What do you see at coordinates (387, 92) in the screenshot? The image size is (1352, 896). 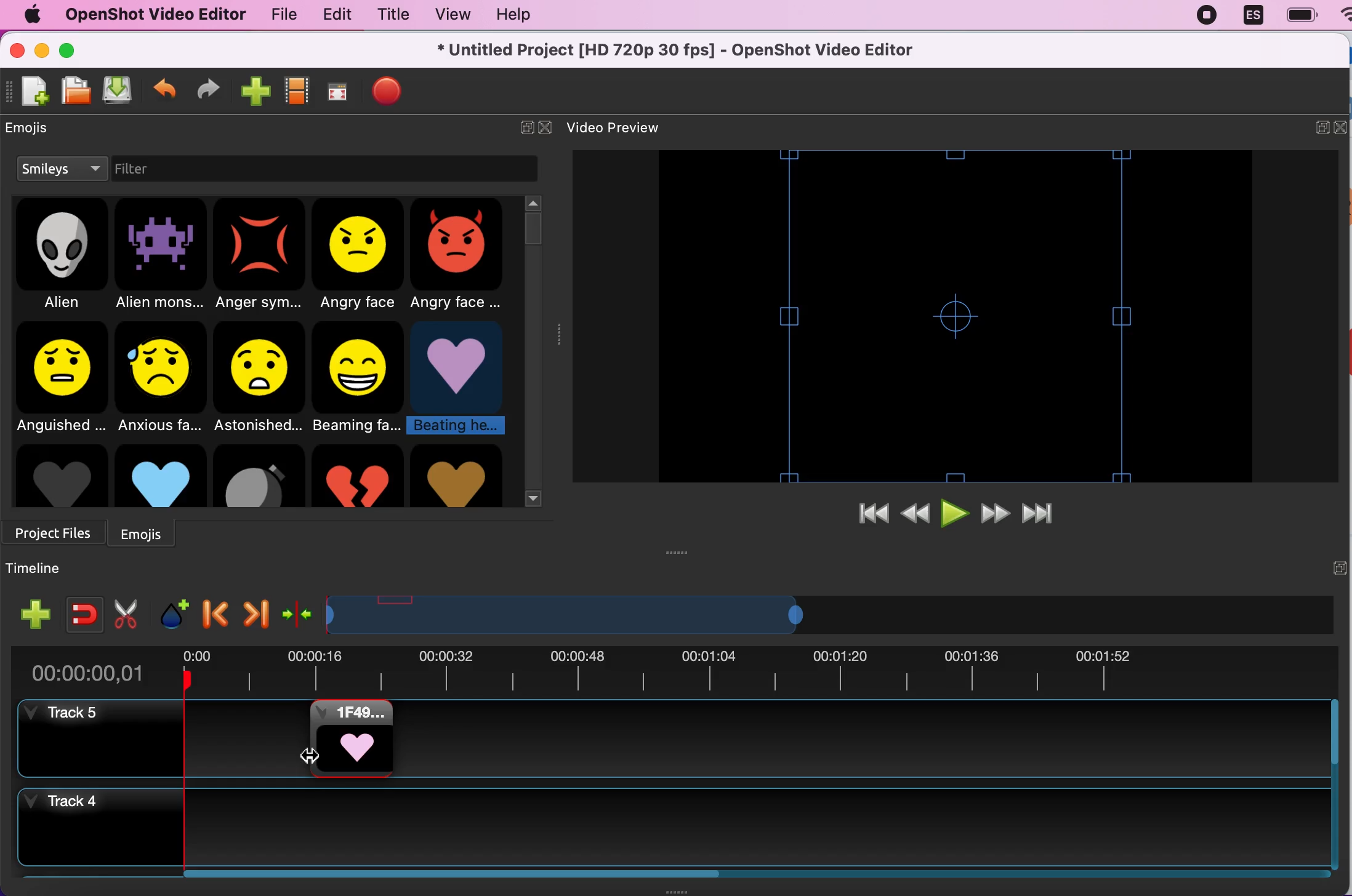 I see `export file` at bounding box center [387, 92].